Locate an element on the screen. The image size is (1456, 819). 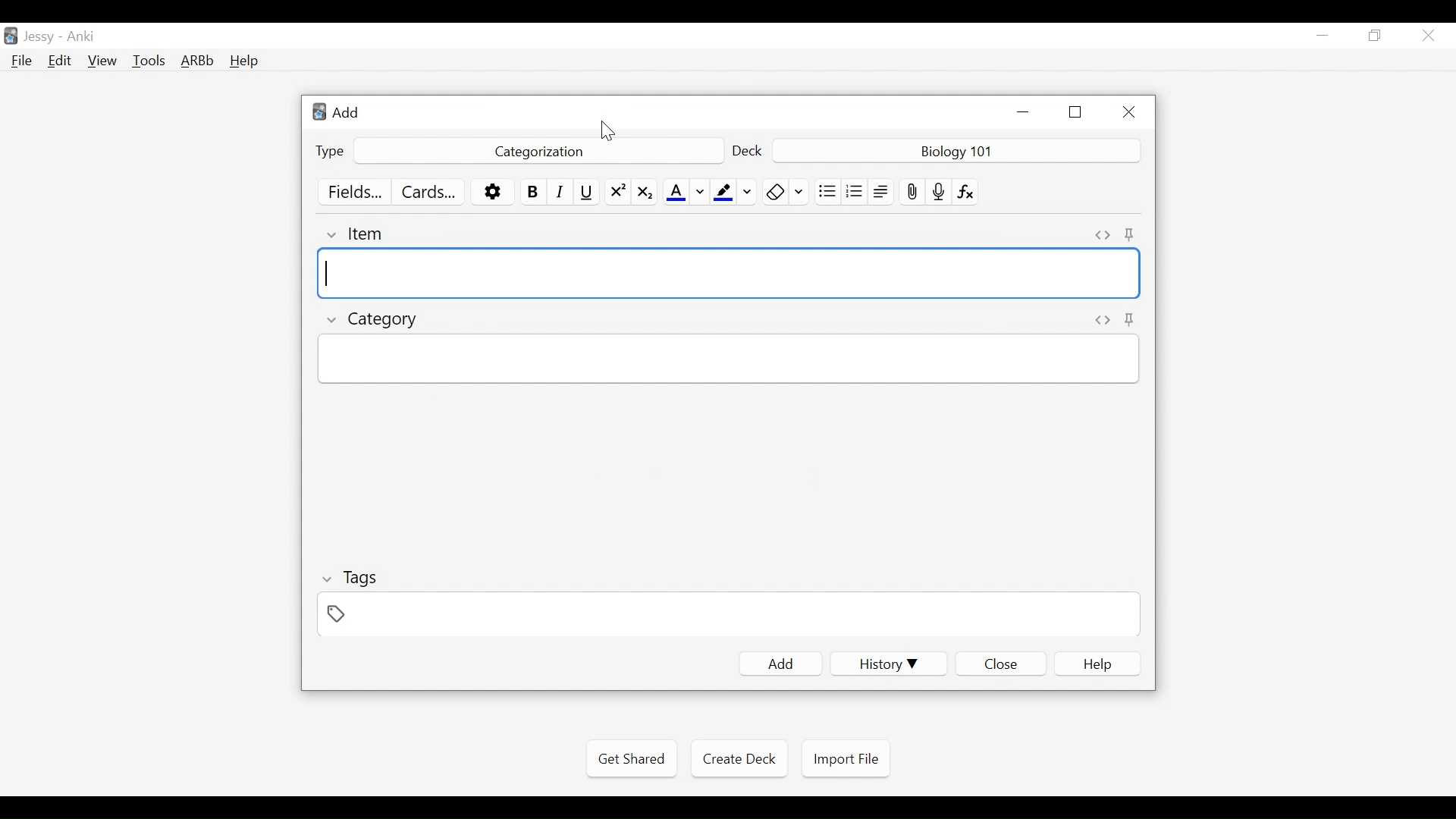
Category Field is located at coordinates (727, 359).